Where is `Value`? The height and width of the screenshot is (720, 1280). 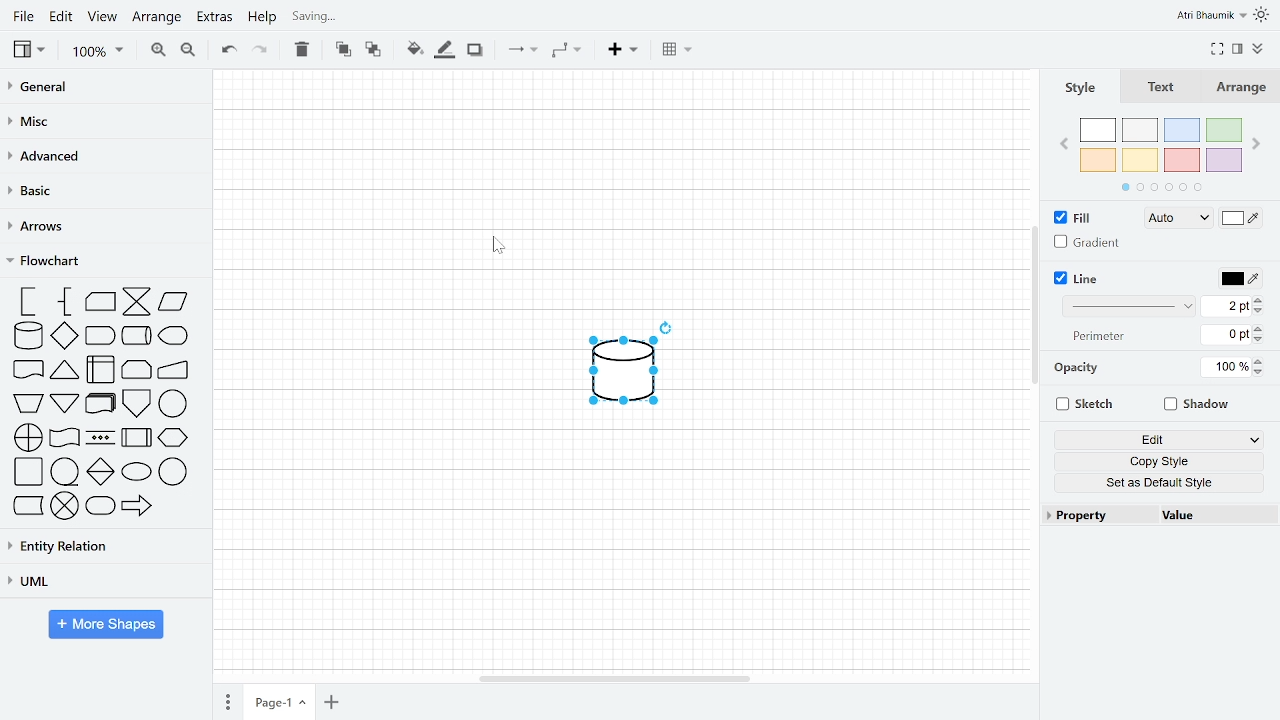 Value is located at coordinates (1219, 514).